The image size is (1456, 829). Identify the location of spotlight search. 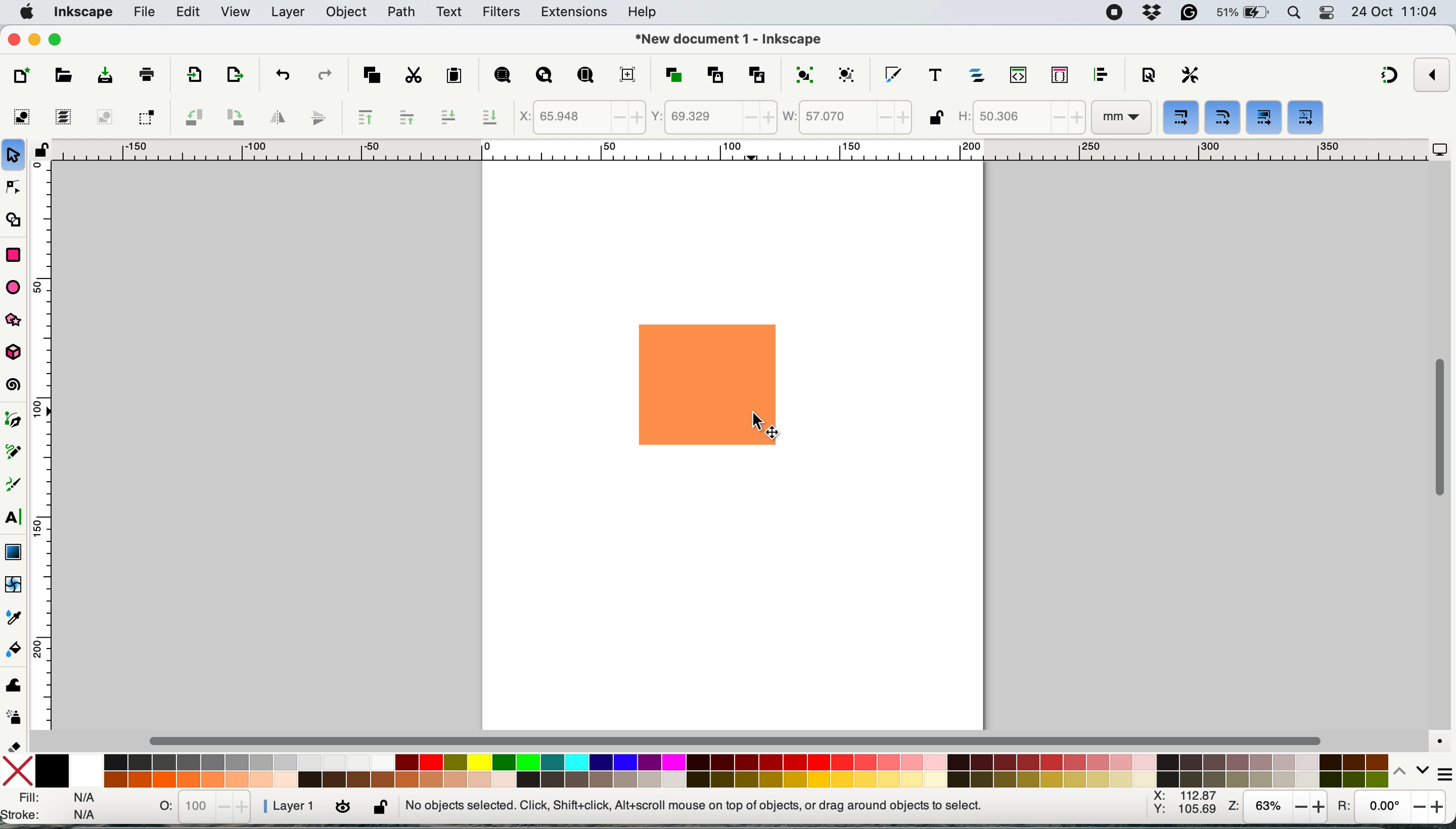
(1295, 14).